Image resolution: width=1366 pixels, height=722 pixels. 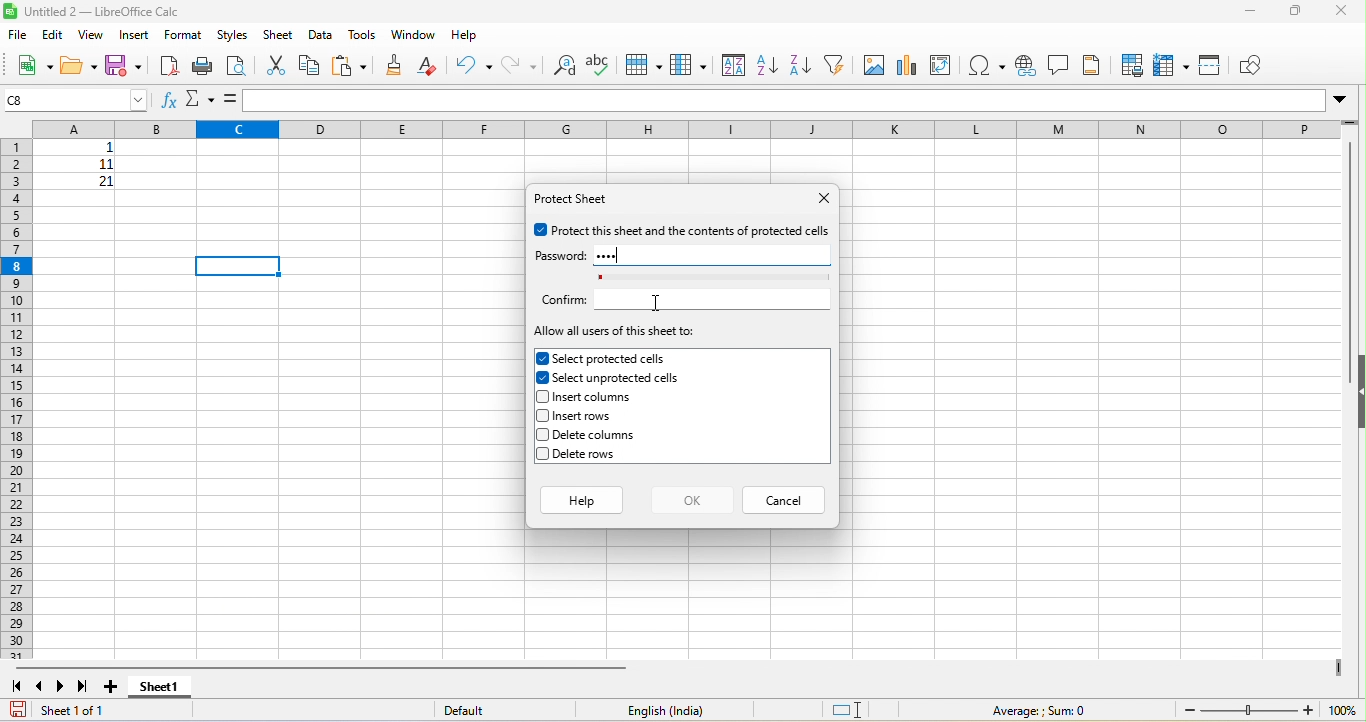 I want to click on special characters, so click(x=988, y=64).